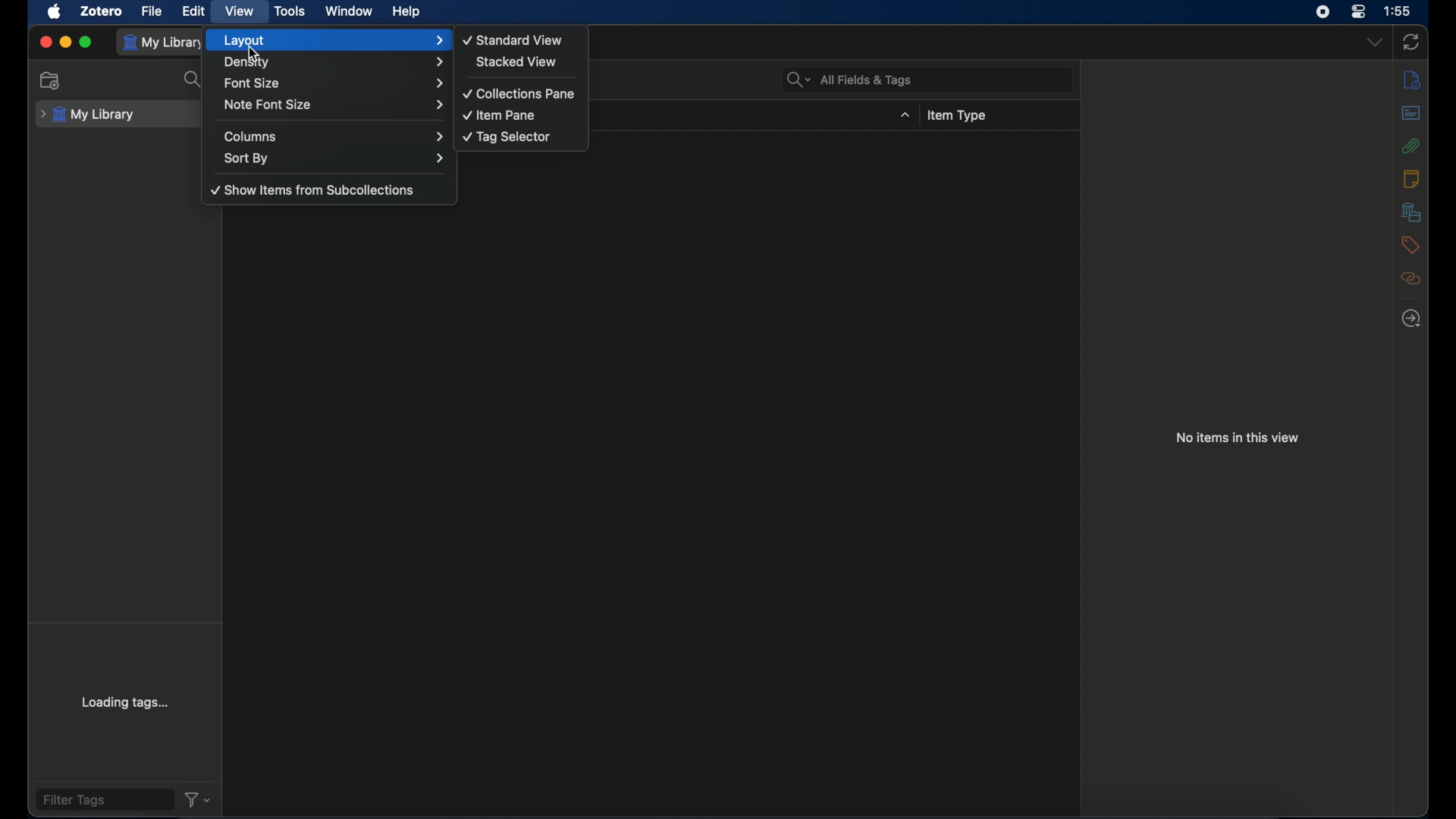  What do you see at coordinates (1411, 41) in the screenshot?
I see `sync` at bounding box center [1411, 41].